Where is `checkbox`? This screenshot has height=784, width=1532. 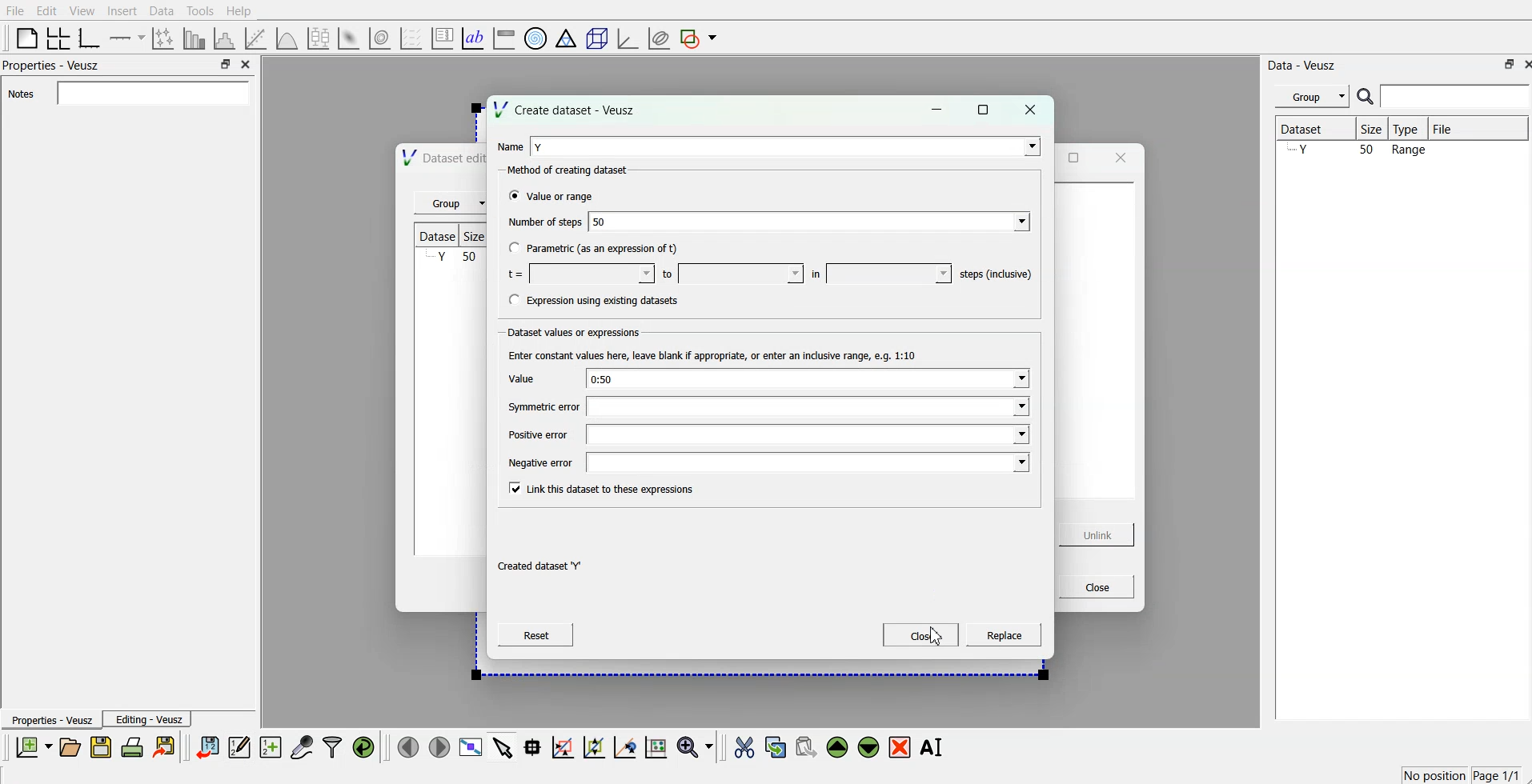 checkbox is located at coordinates (511, 196).